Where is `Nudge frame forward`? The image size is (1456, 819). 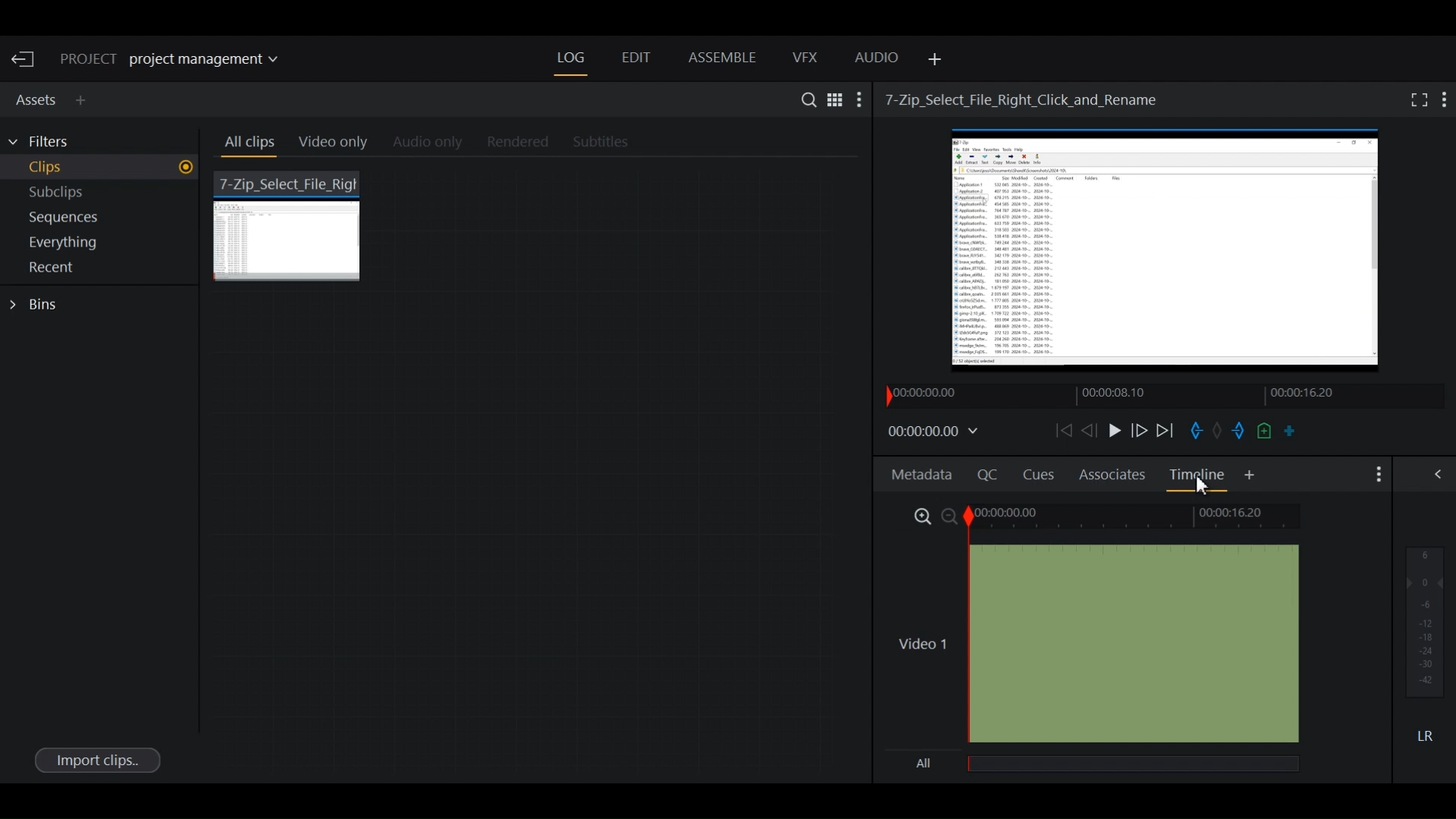 Nudge frame forward is located at coordinates (1141, 430).